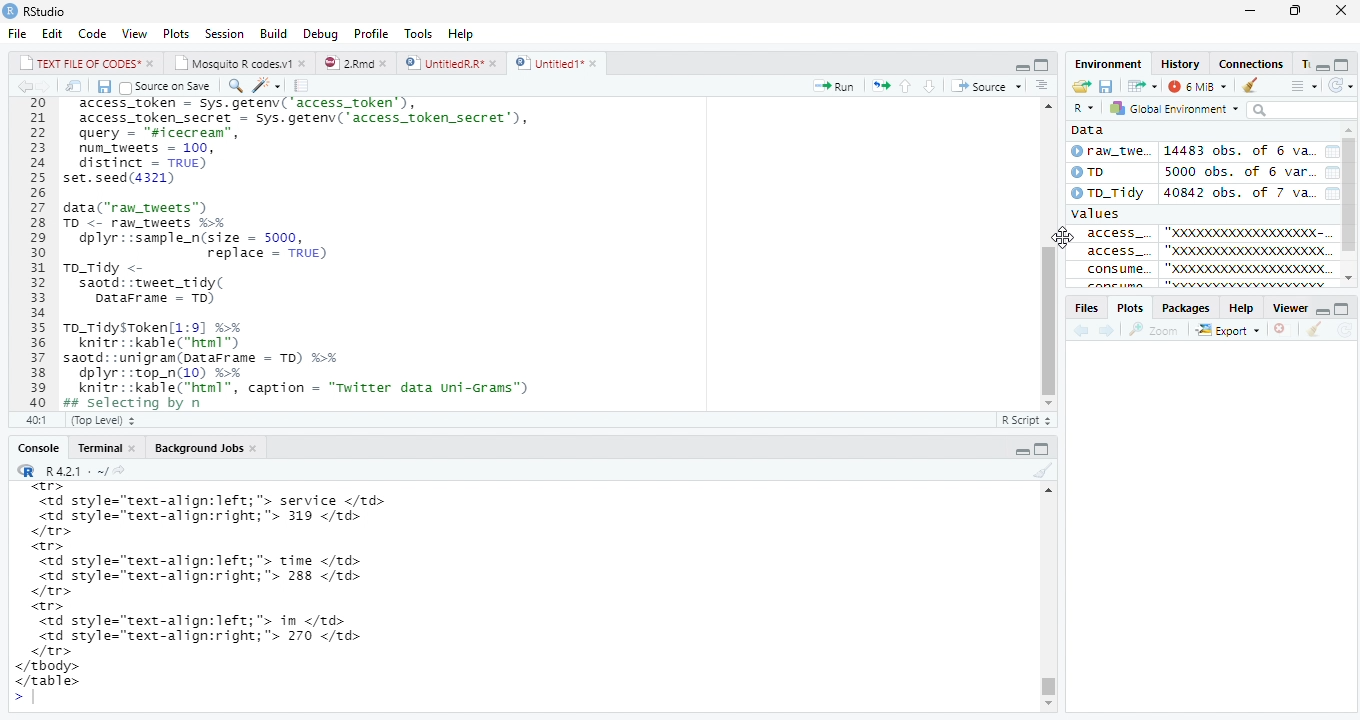  I want to click on Data

Oran_twe. 14483 obs. of 6 va.

0 5000 obs. of 6 var.

©To_Tidy 40842 obs. of 7 va.

values

acCess_ "0000000000000000K-

[¥ access "x000000000000000000¢

Consume. OB0000D0000D00000X, so click(1202, 205).